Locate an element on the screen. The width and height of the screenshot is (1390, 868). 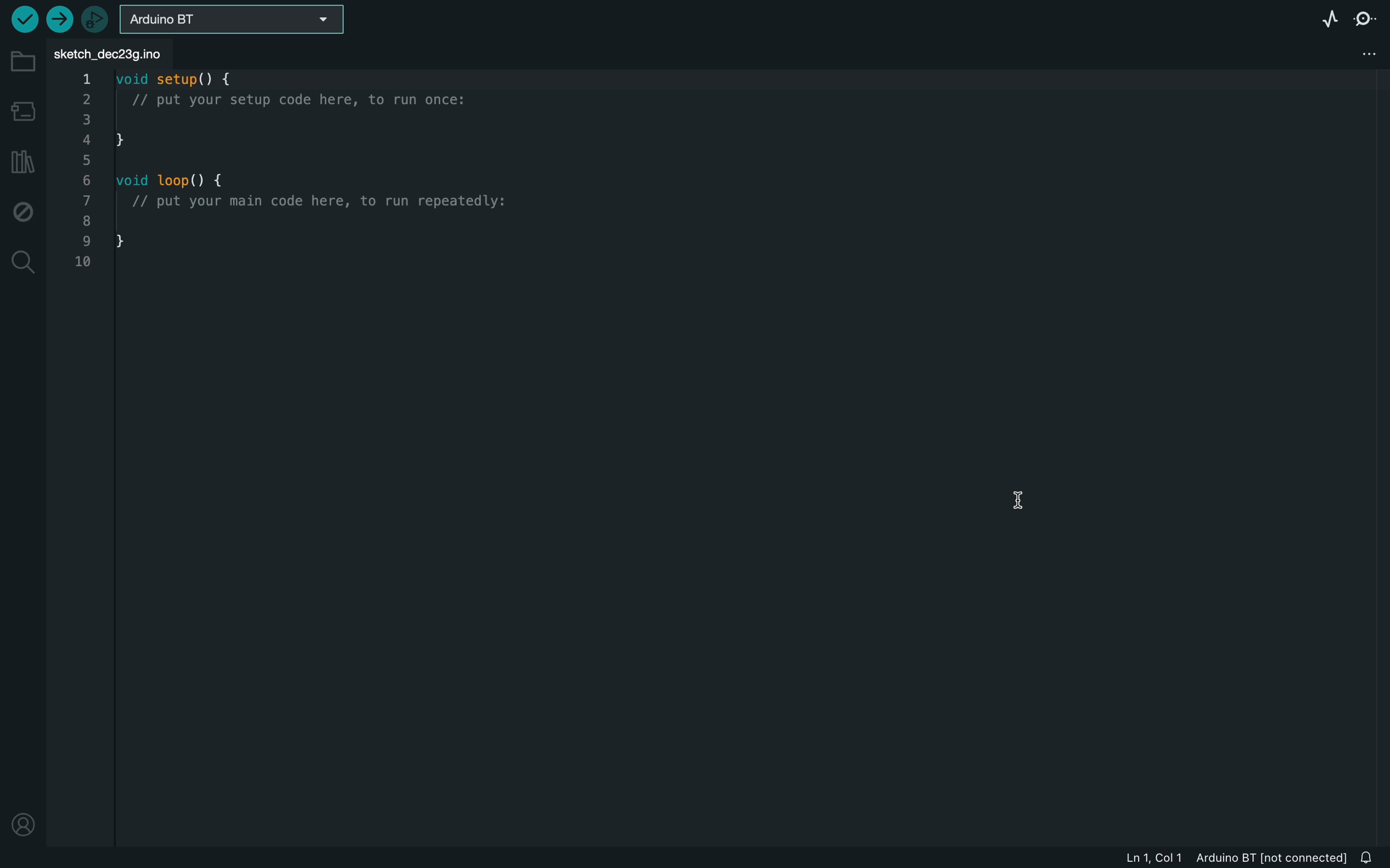
code is located at coordinates (304, 173).